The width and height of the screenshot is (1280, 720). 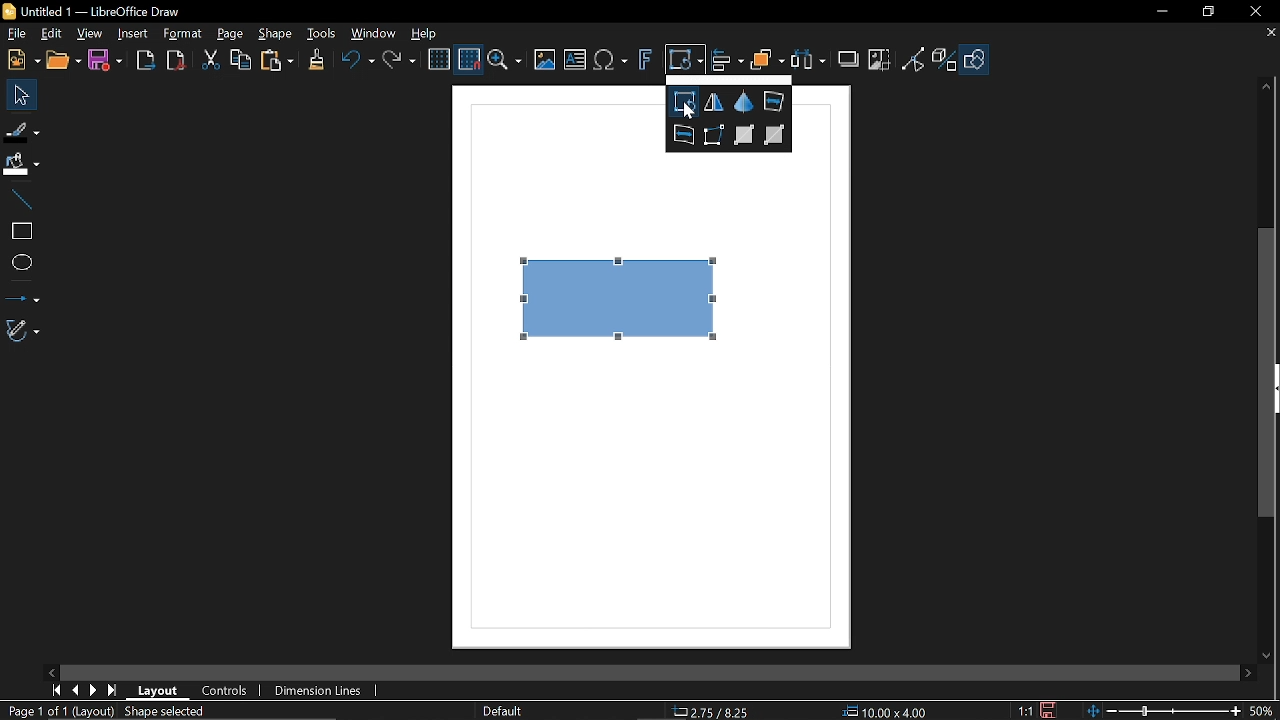 What do you see at coordinates (74, 691) in the screenshot?
I see `Previous page` at bounding box center [74, 691].